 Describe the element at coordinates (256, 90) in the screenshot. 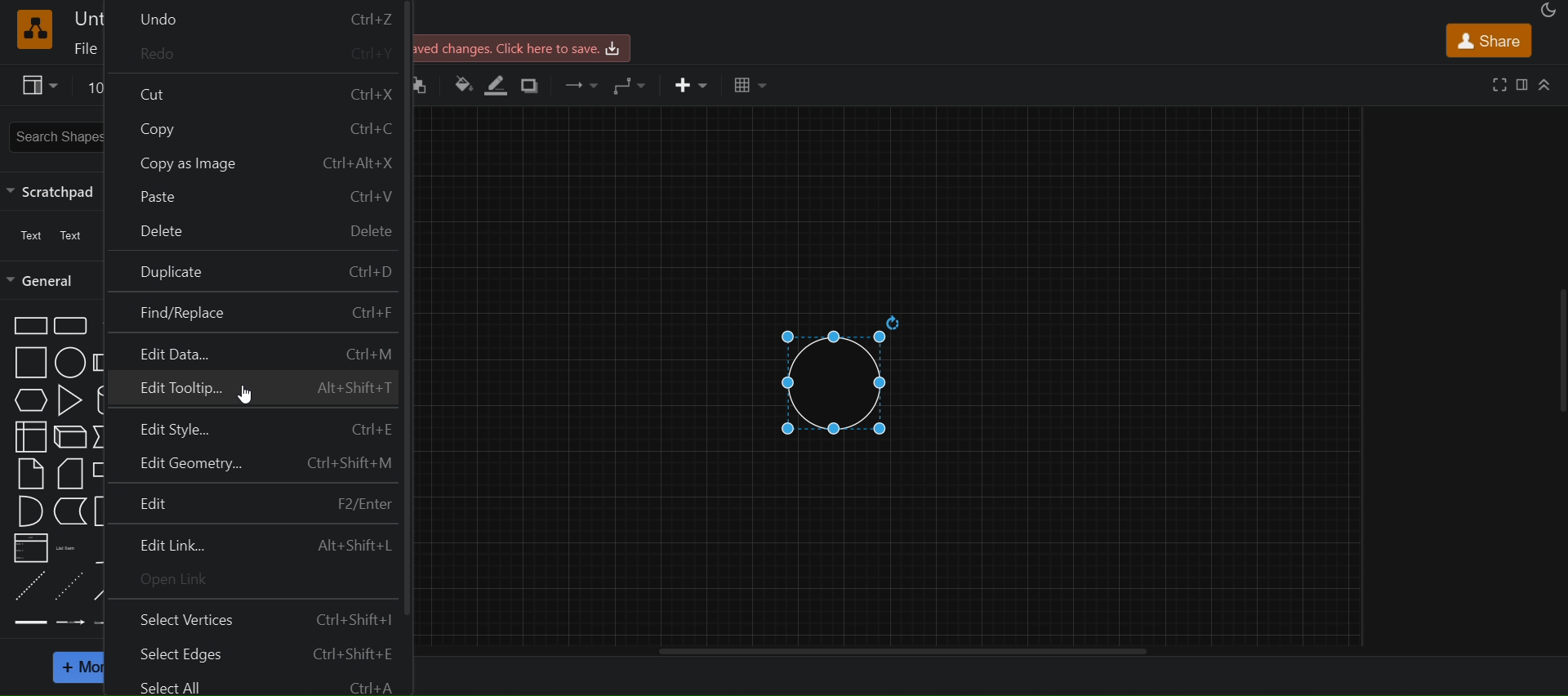

I see `cut` at that location.